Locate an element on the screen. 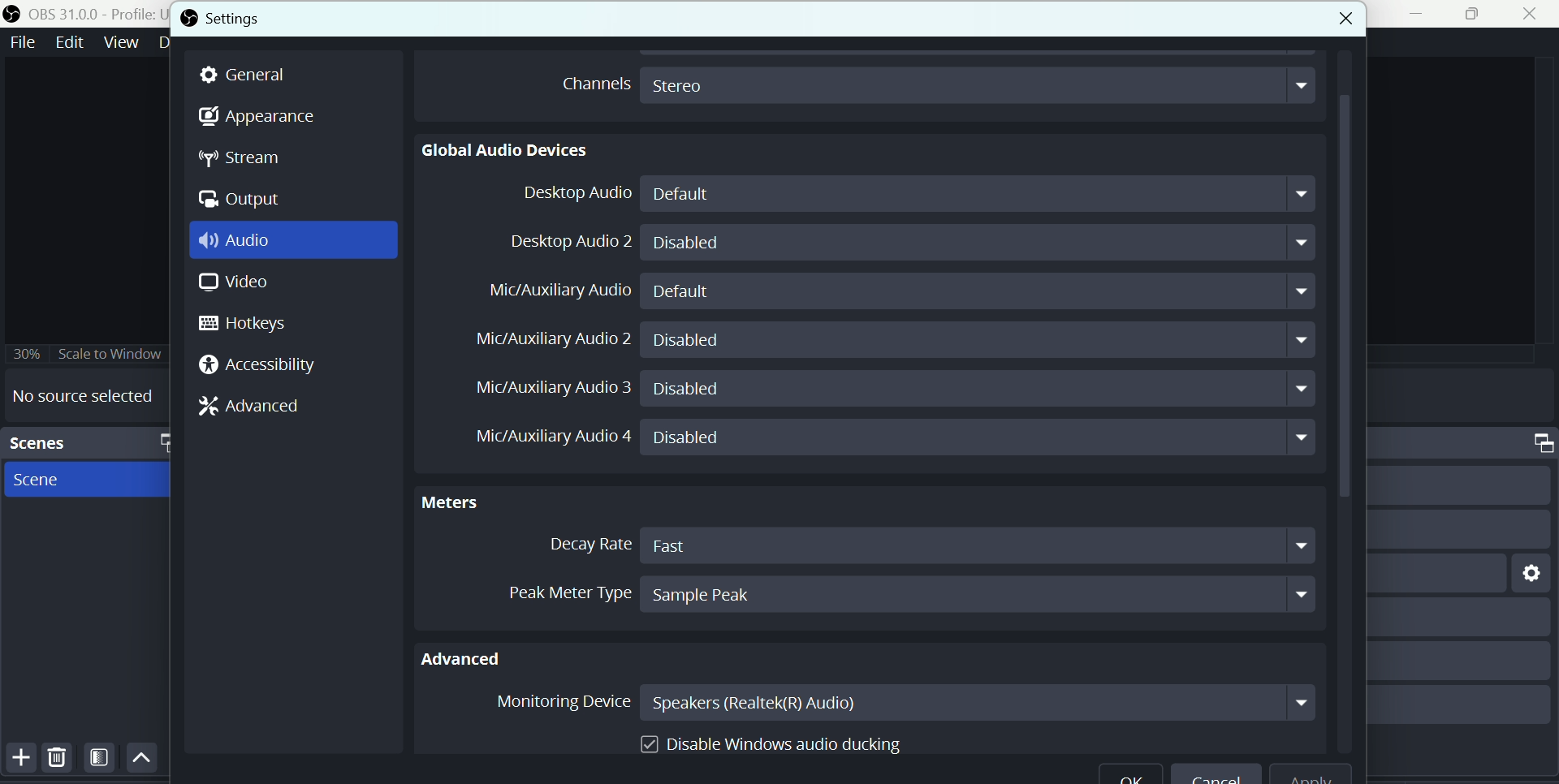 This screenshot has width=1559, height=784. Monitoring Device is located at coordinates (559, 704).